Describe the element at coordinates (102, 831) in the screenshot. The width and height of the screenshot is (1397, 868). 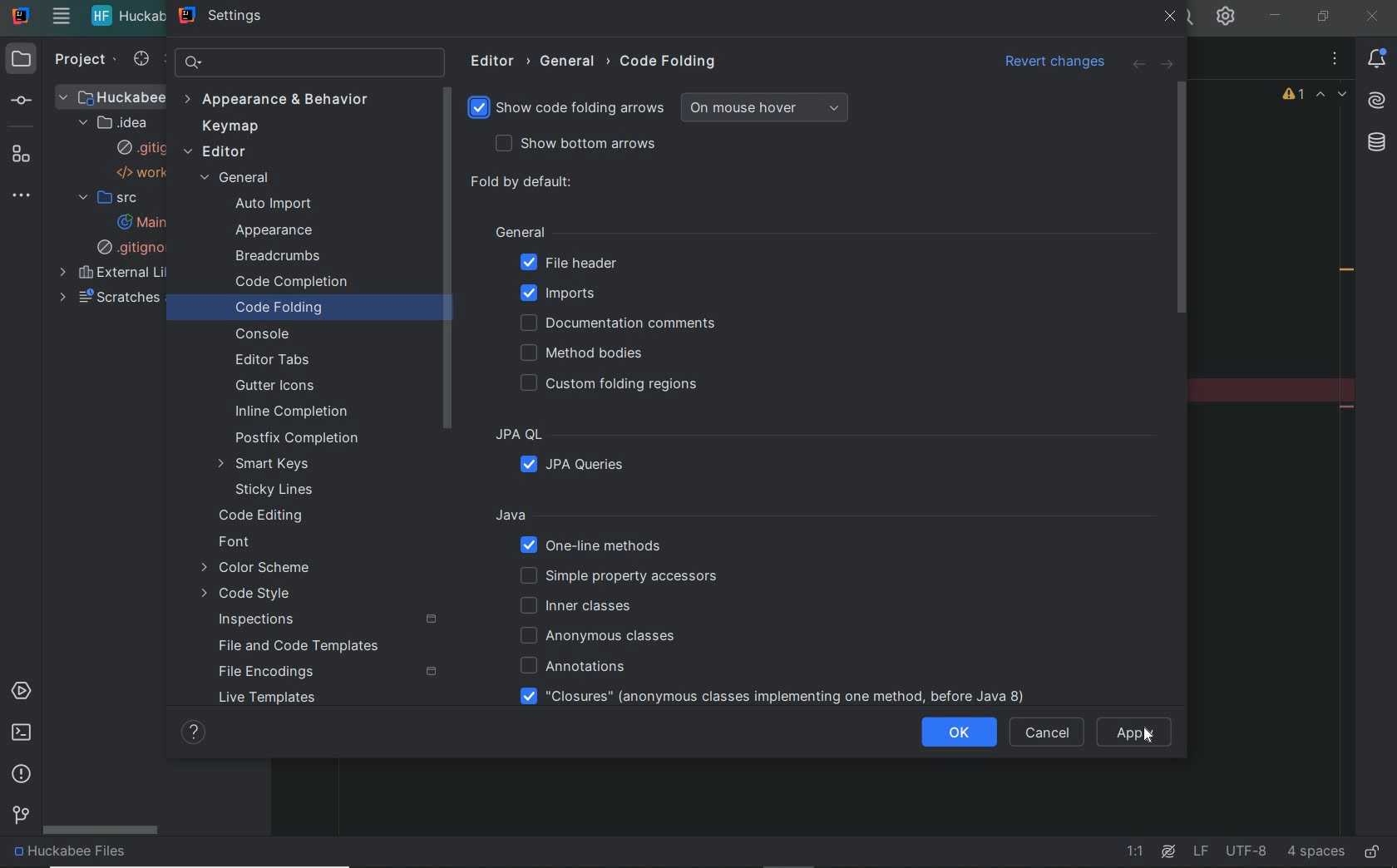
I see `scrollbar` at that location.